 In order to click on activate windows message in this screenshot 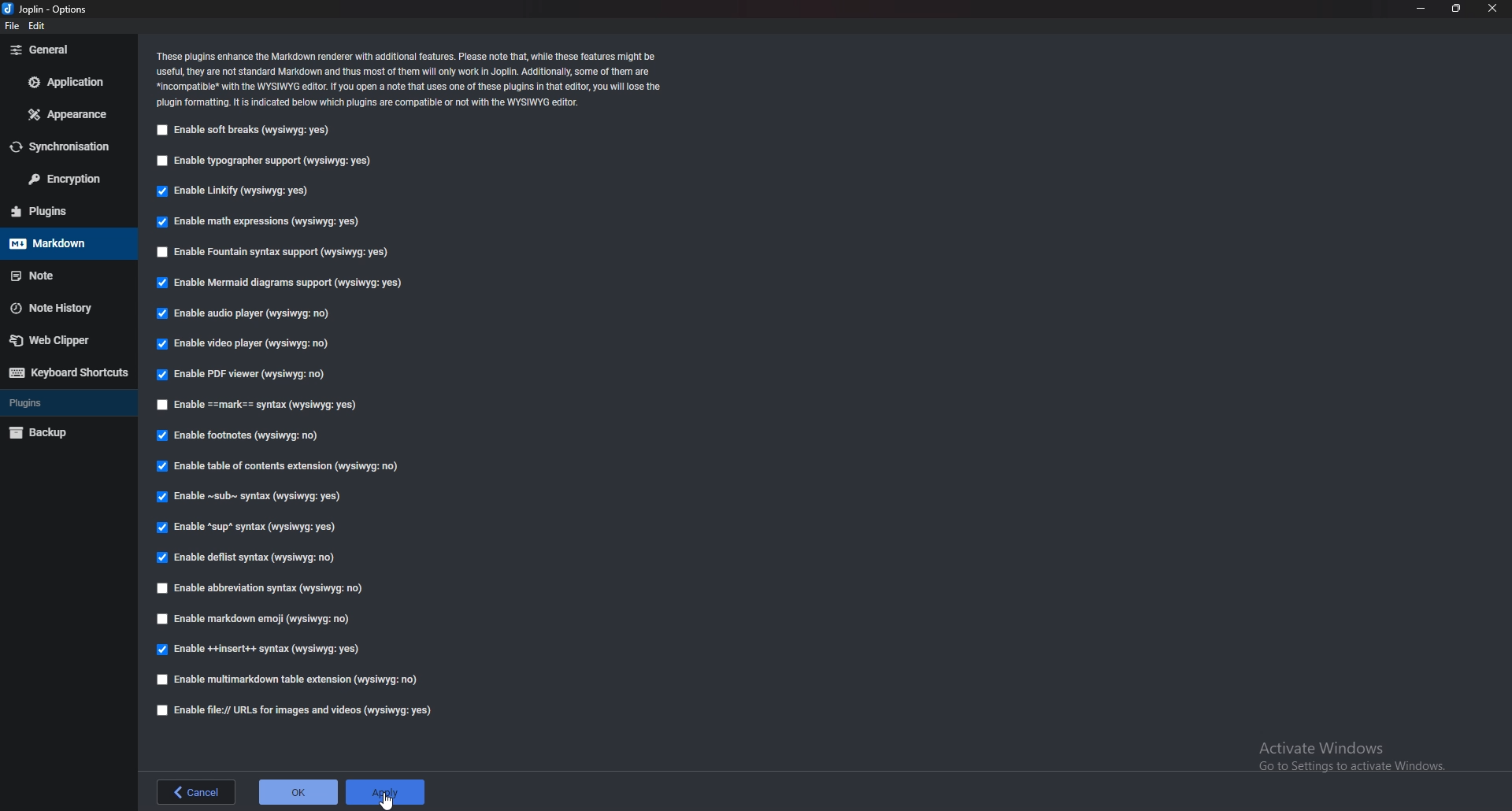, I will do `click(1350, 750)`.